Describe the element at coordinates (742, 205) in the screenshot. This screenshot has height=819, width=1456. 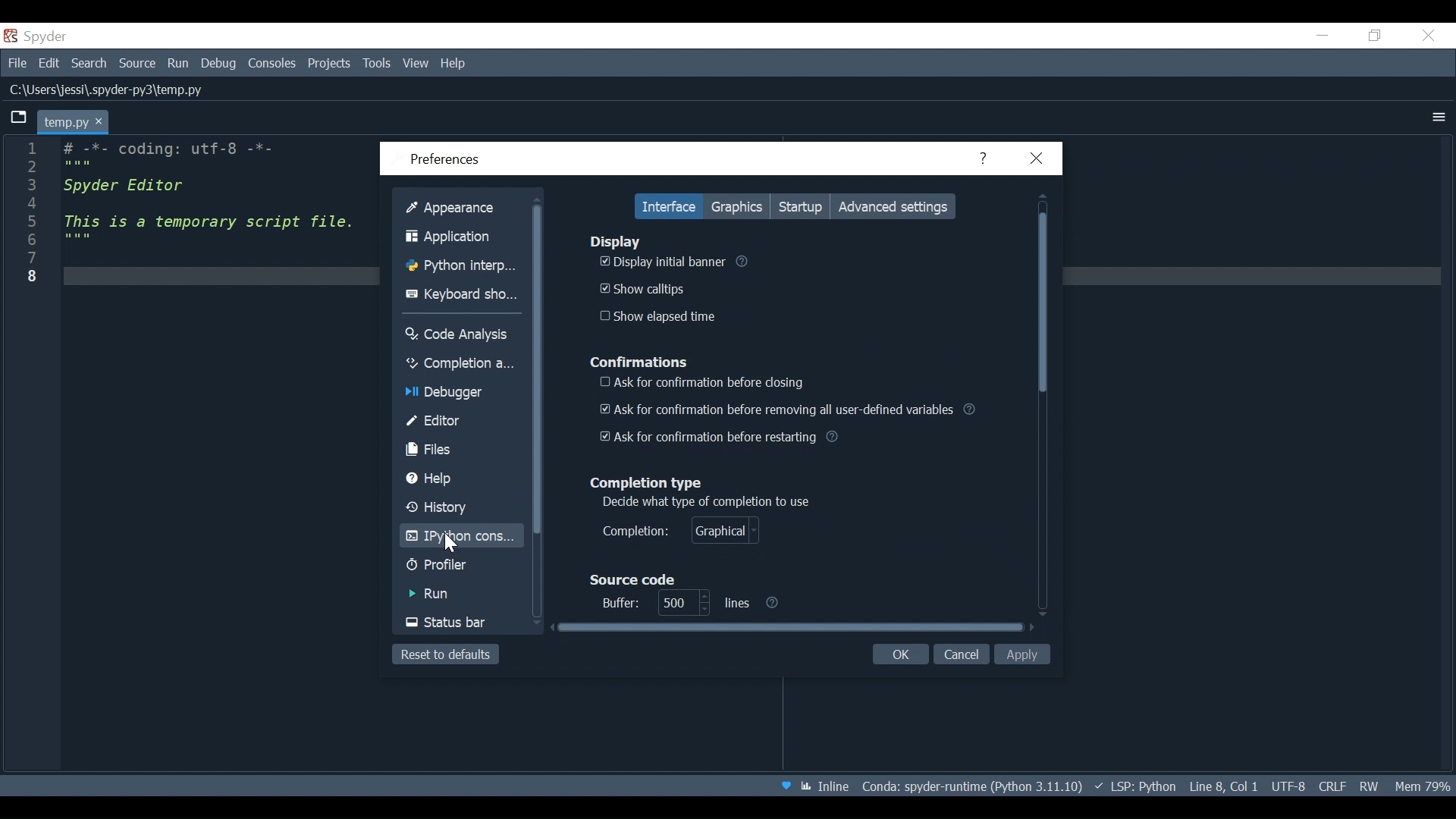
I see `Graphics` at that location.